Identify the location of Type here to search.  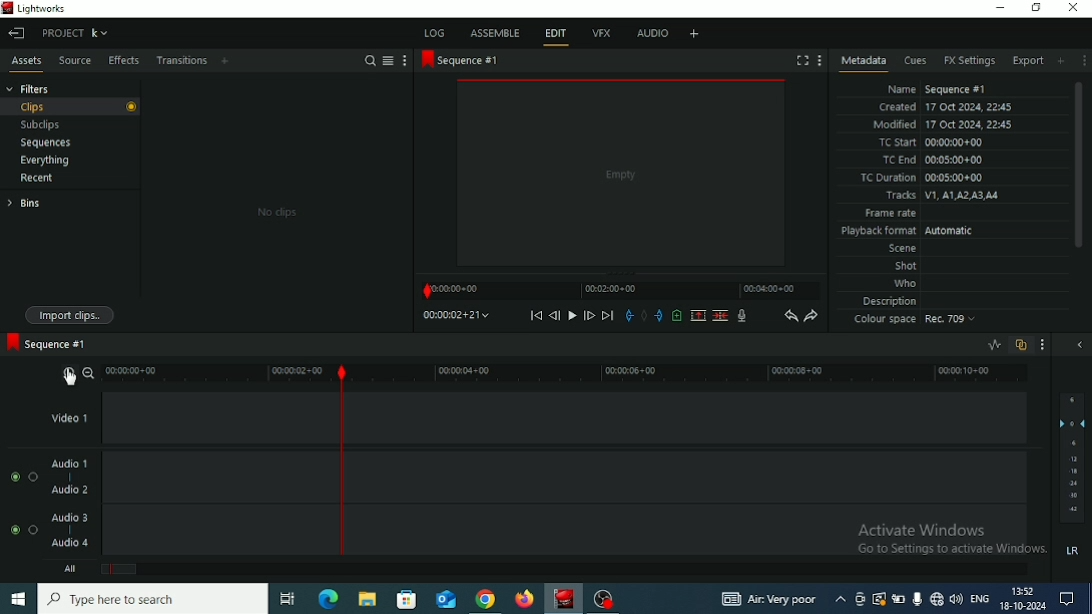
(153, 598).